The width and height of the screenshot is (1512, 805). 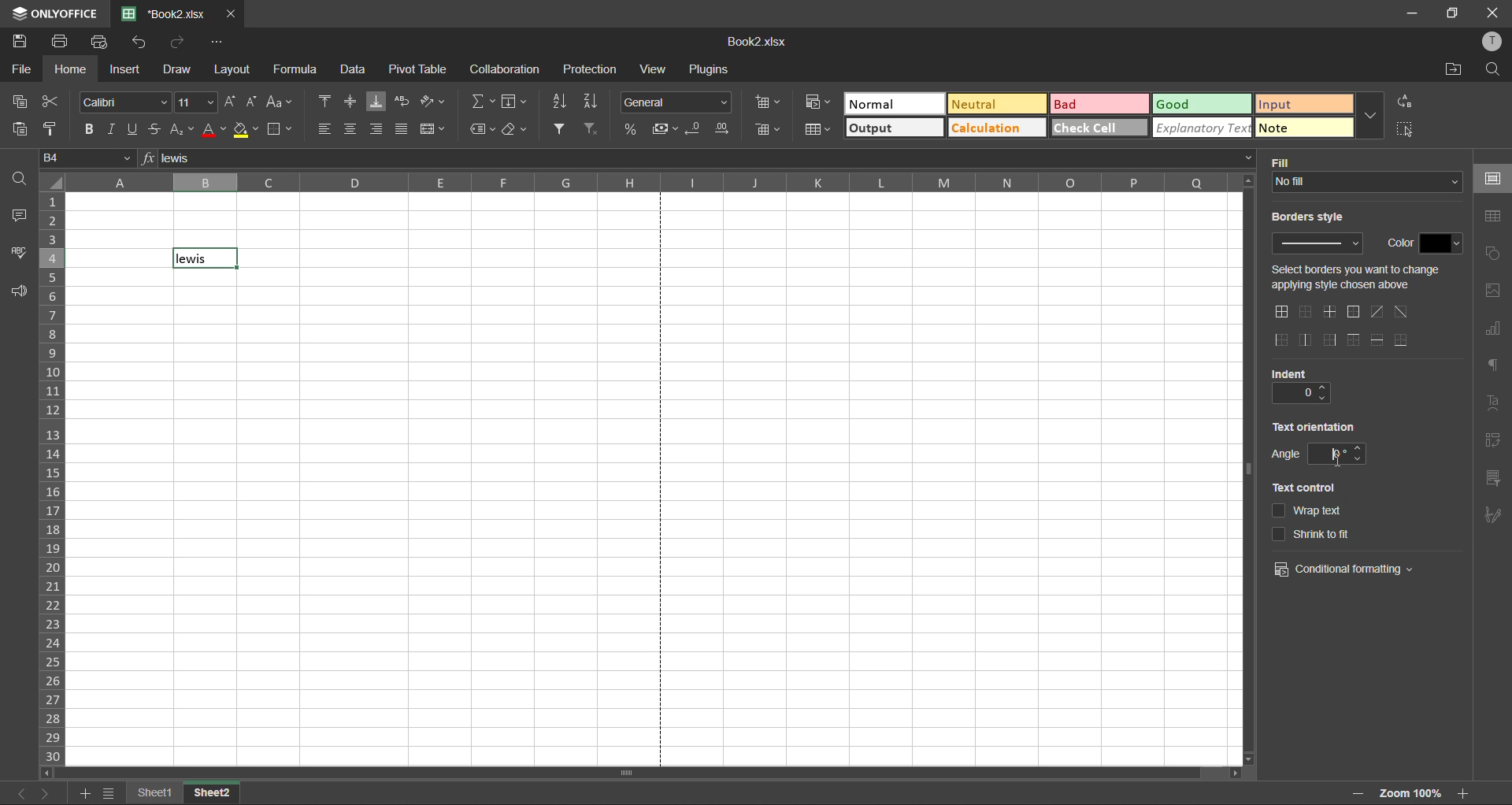 I want to click on align top, so click(x=328, y=103).